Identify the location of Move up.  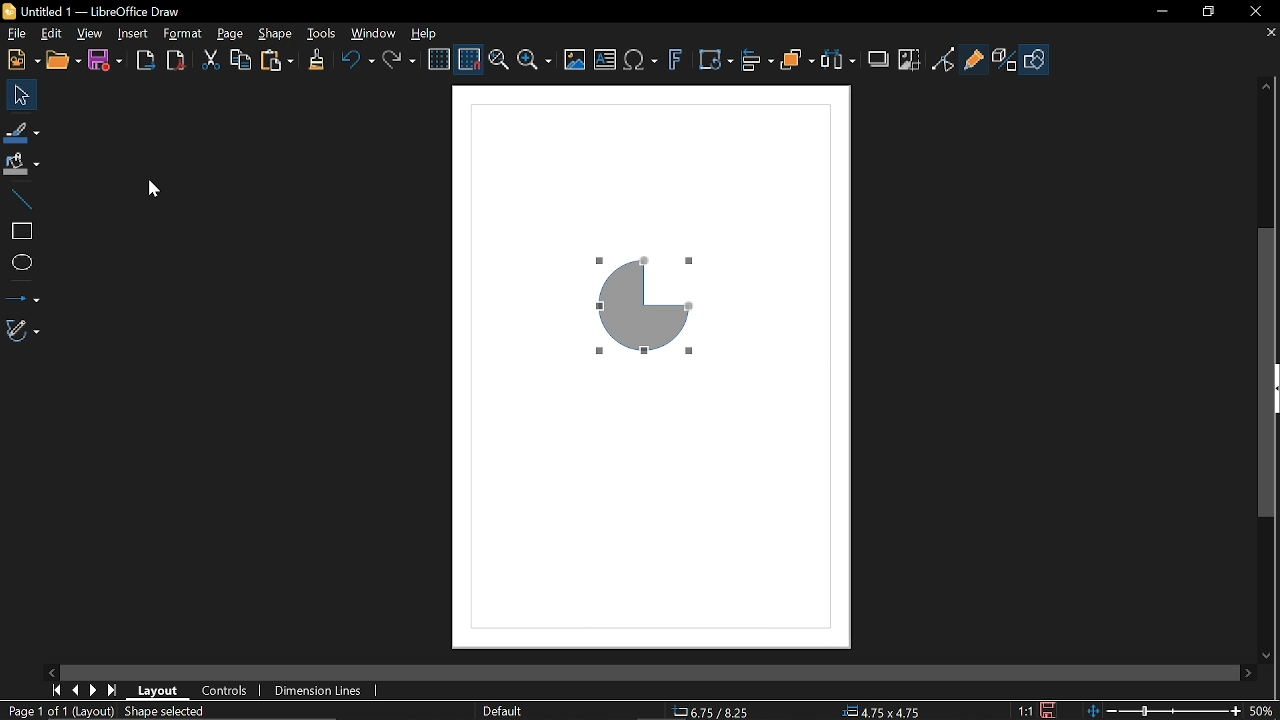
(1267, 84).